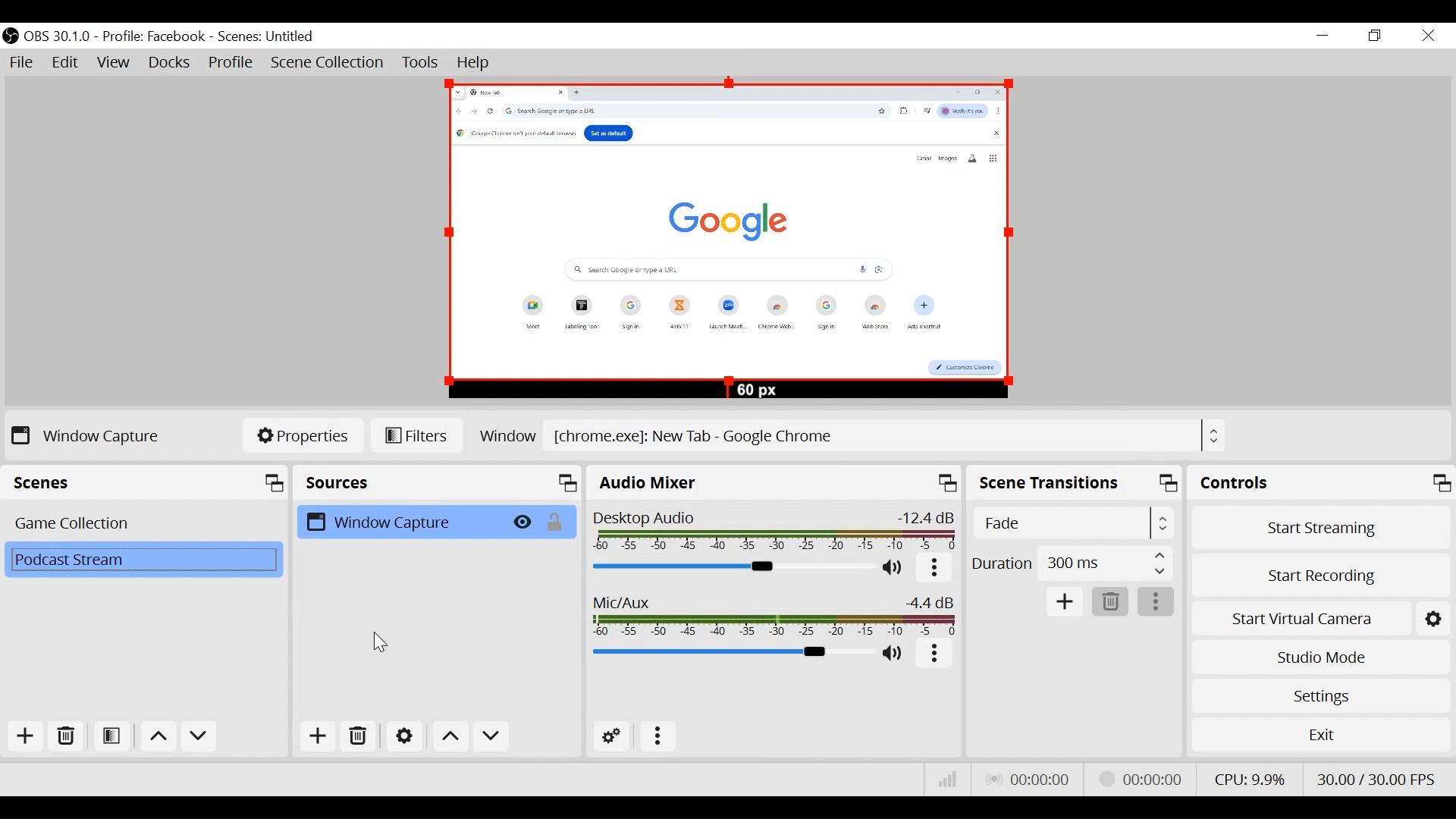 Image resolution: width=1456 pixels, height=819 pixels. What do you see at coordinates (11, 36) in the screenshot?
I see `OBS Studio Desktop Icon` at bounding box center [11, 36].